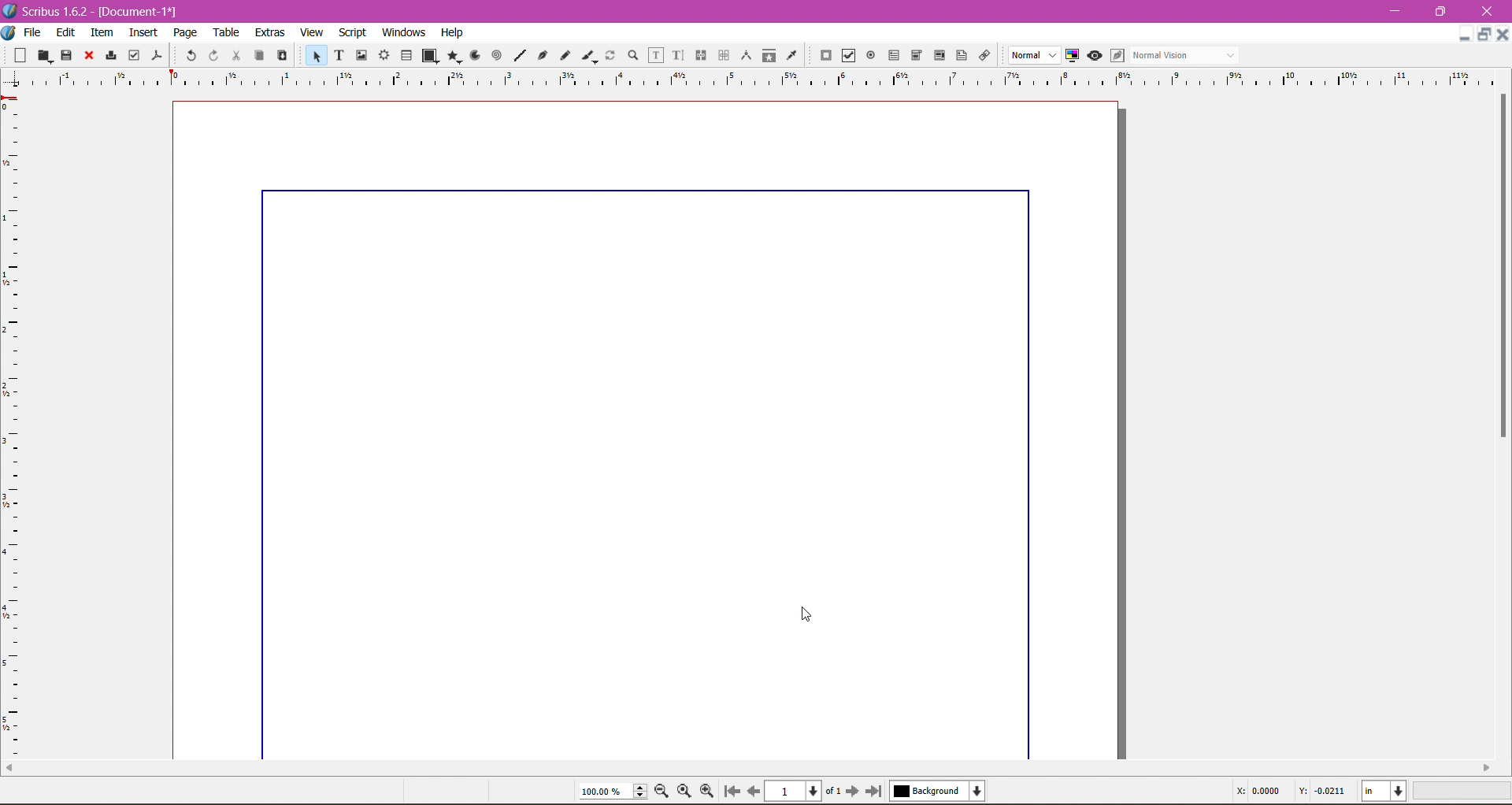 This screenshot has width=1512, height=805. Describe the element at coordinates (849, 56) in the screenshot. I see `PDF Check Box` at that location.